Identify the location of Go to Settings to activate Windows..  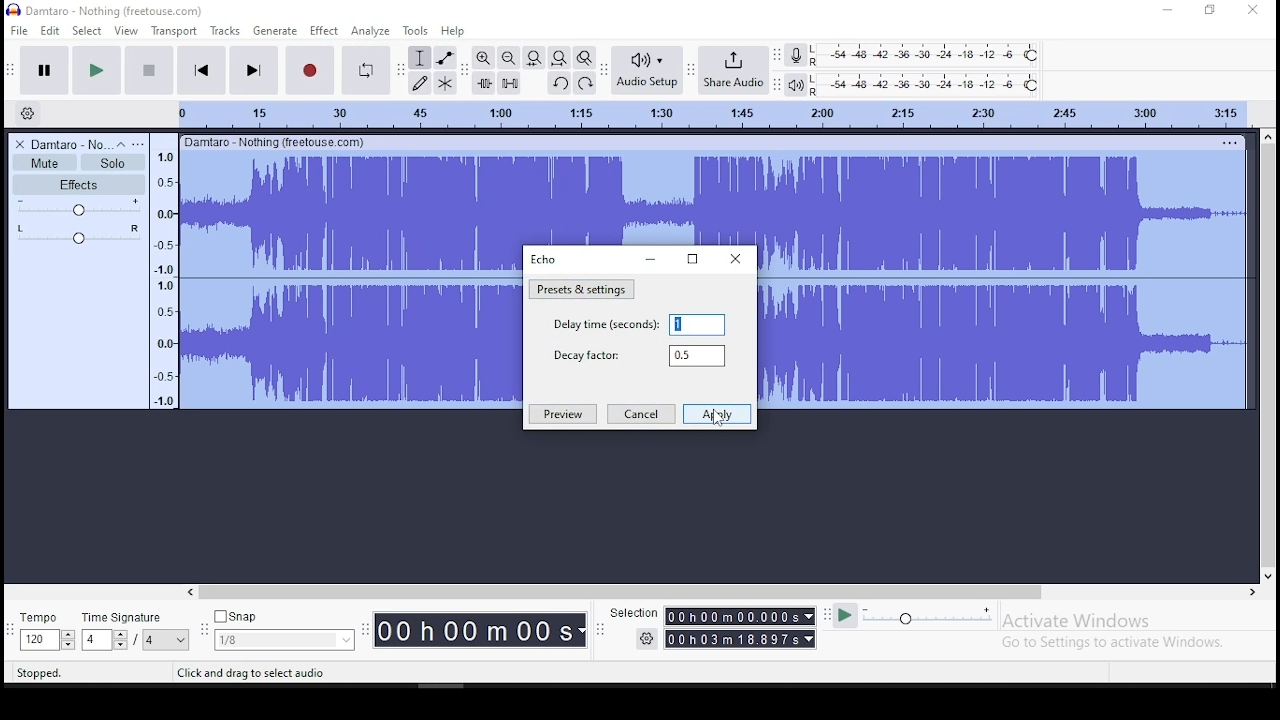
(1114, 644).